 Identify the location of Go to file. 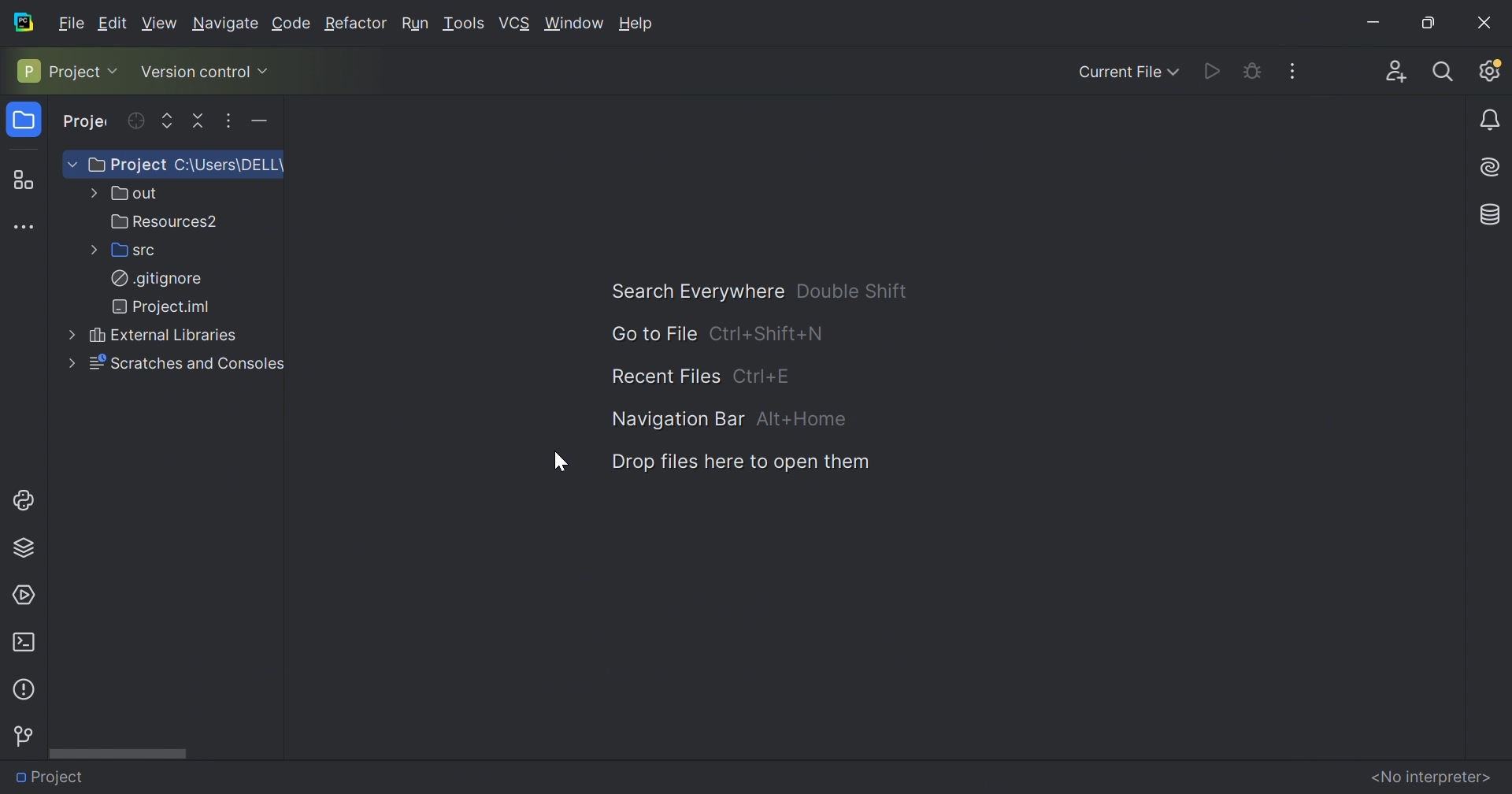
(647, 335).